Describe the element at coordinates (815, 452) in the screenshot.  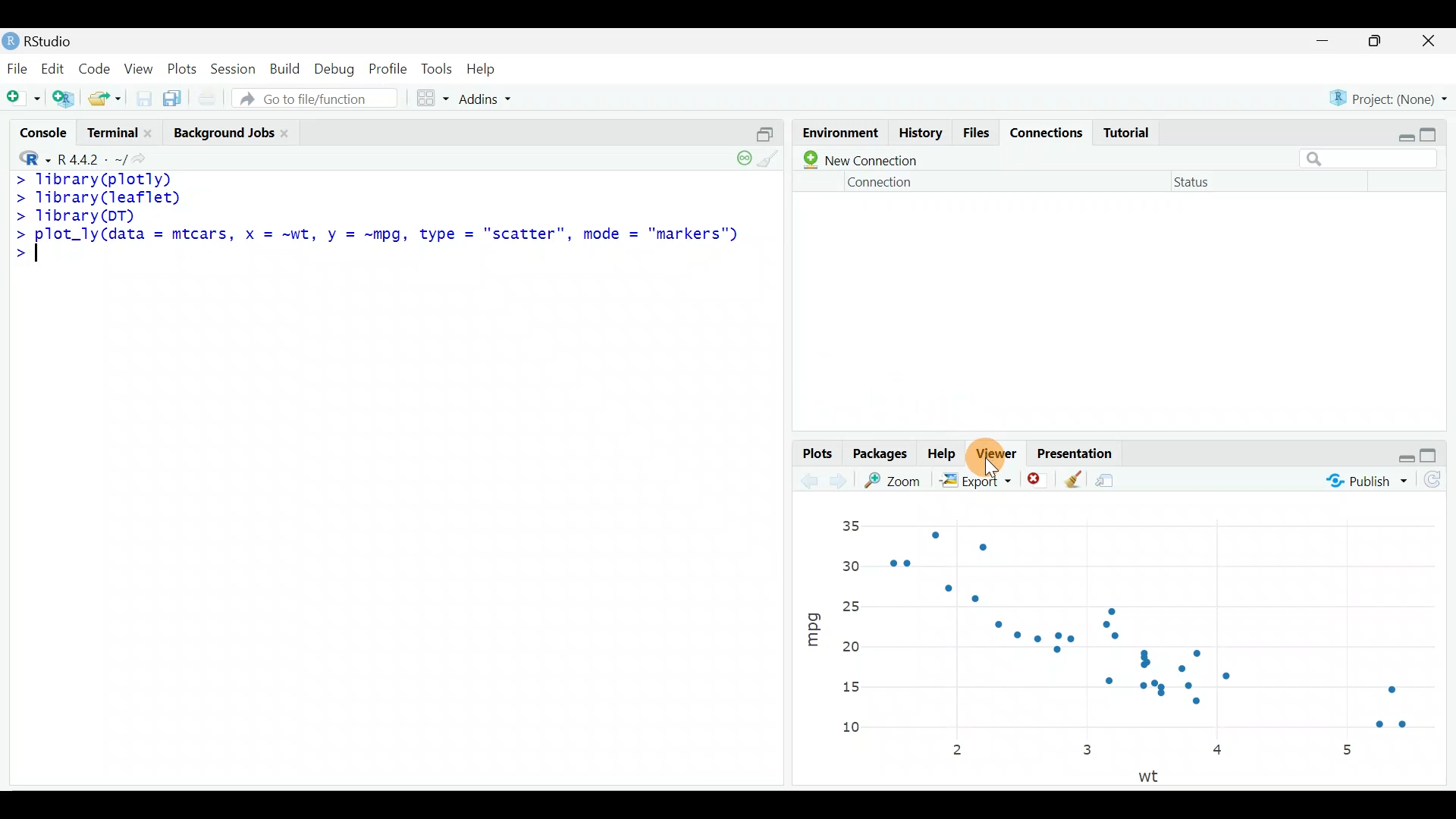
I see `Plots` at that location.